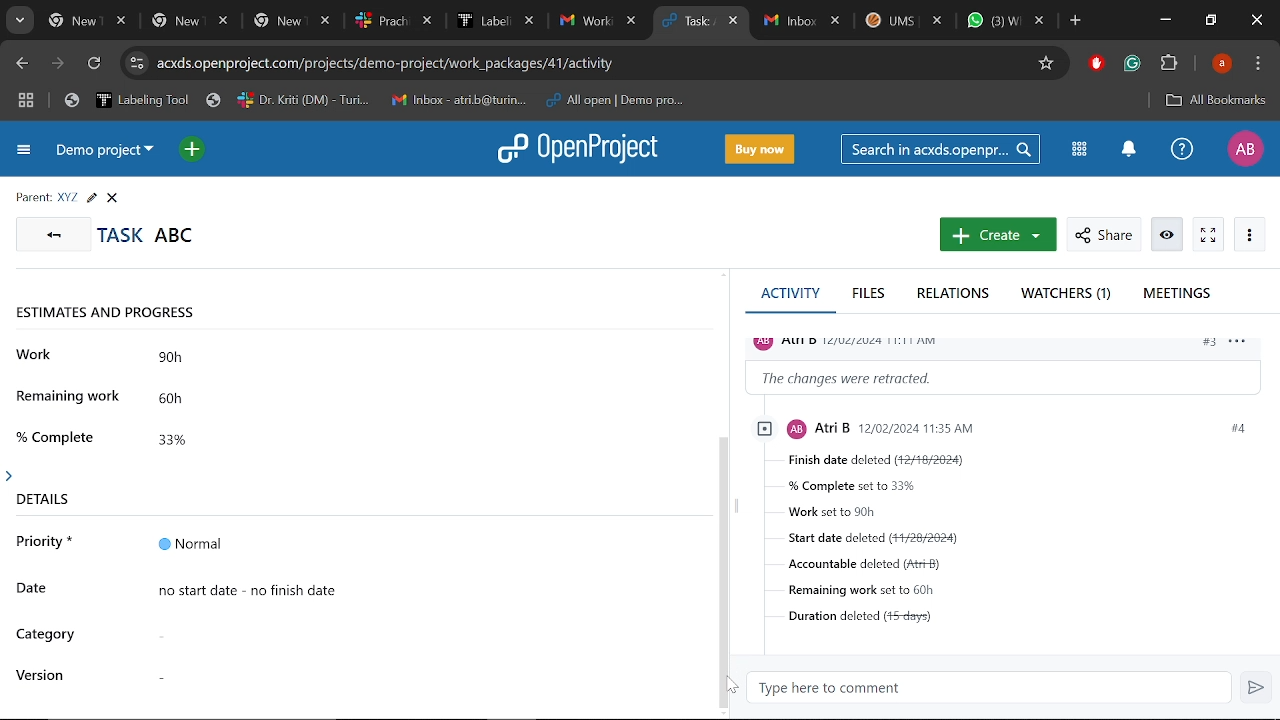  What do you see at coordinates (1260, 64) in the screenshot?
I see `Control and customize chrome` at bounding box center [1260, 64].